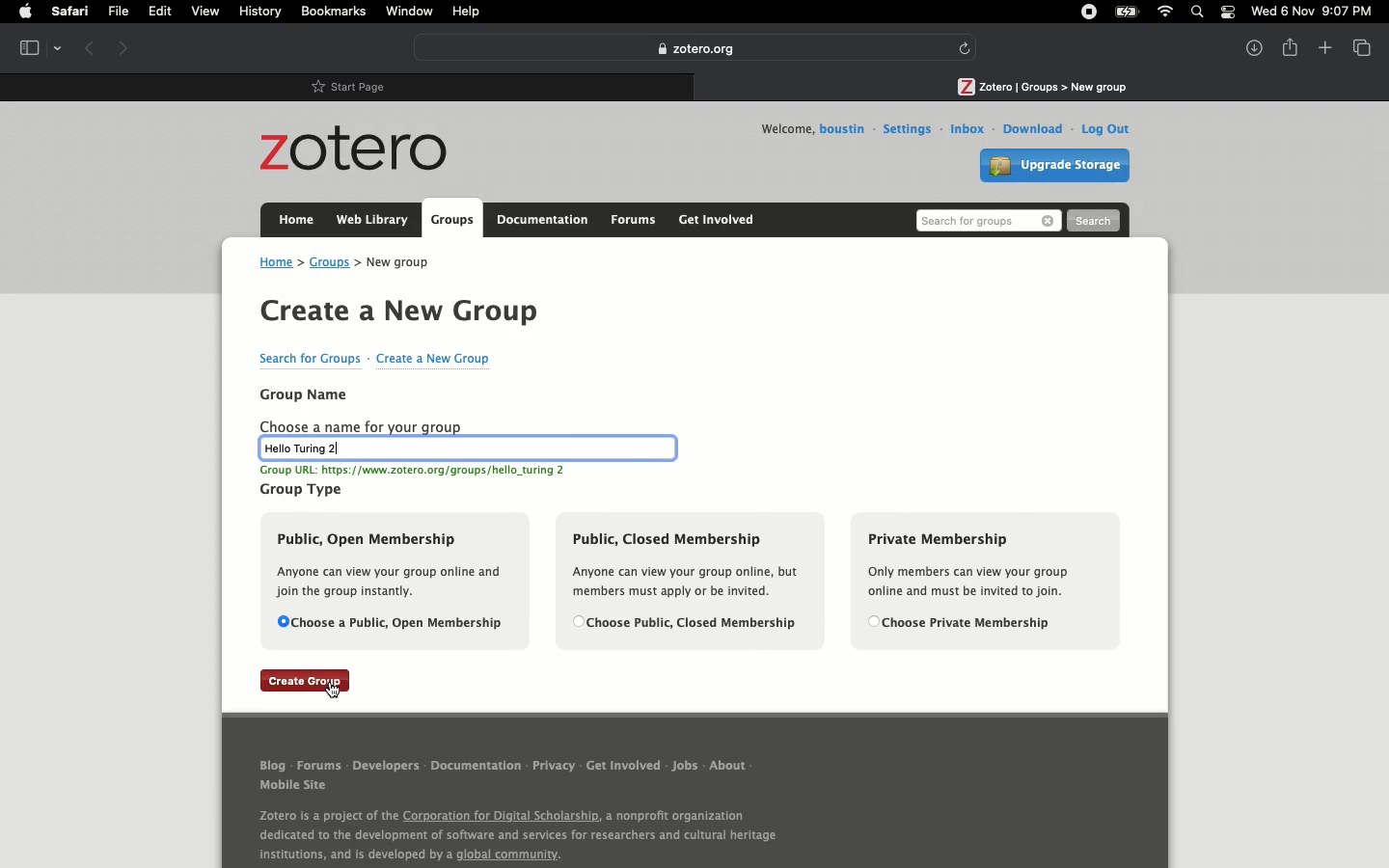 The height and width of the screenshot is (868, 1389). Describe the element at coordinates (371, 219) in the screenshot. I see `Web library` at that location.